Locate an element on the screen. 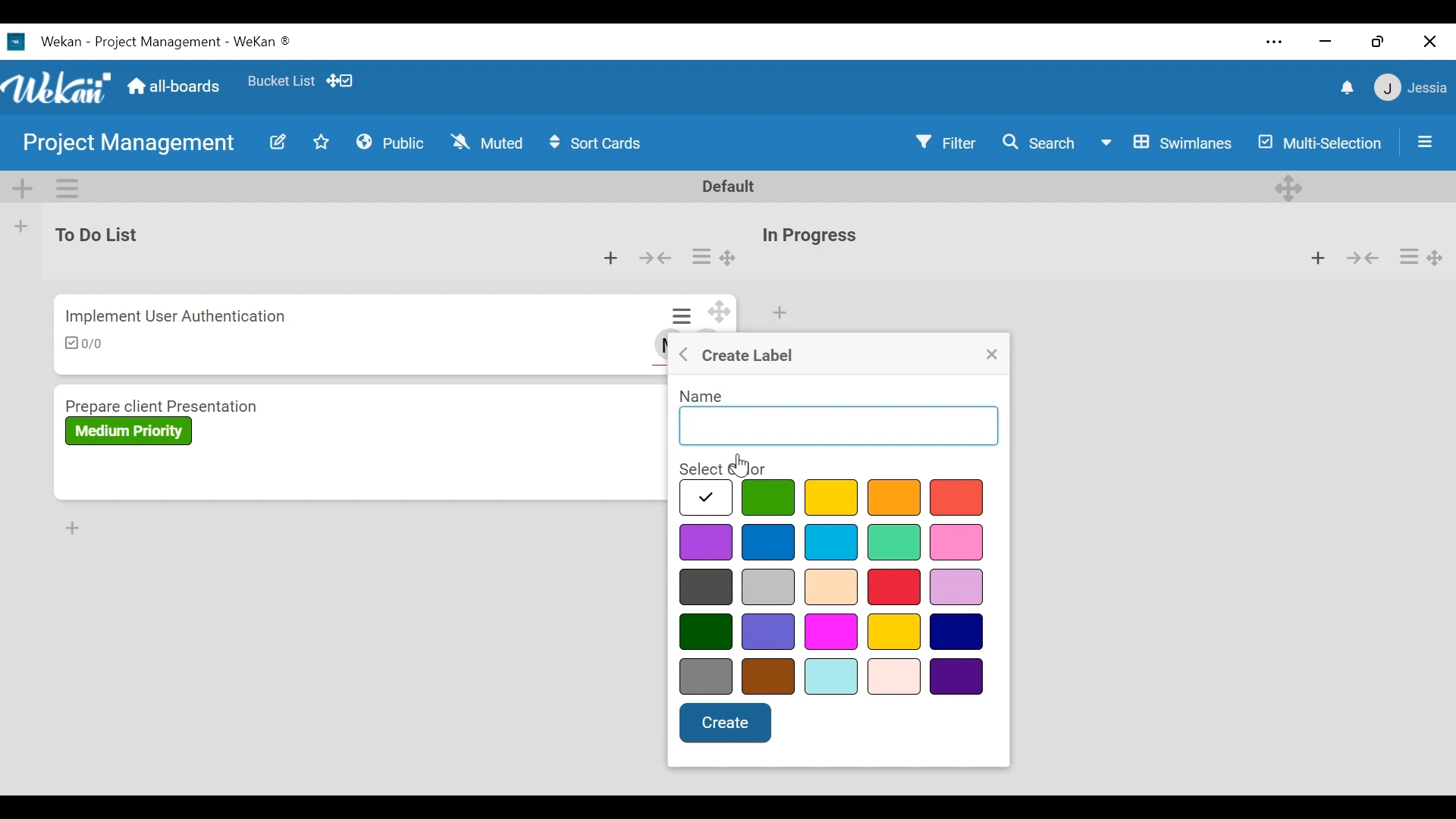  minimize is located at coordinates (1323, 41).